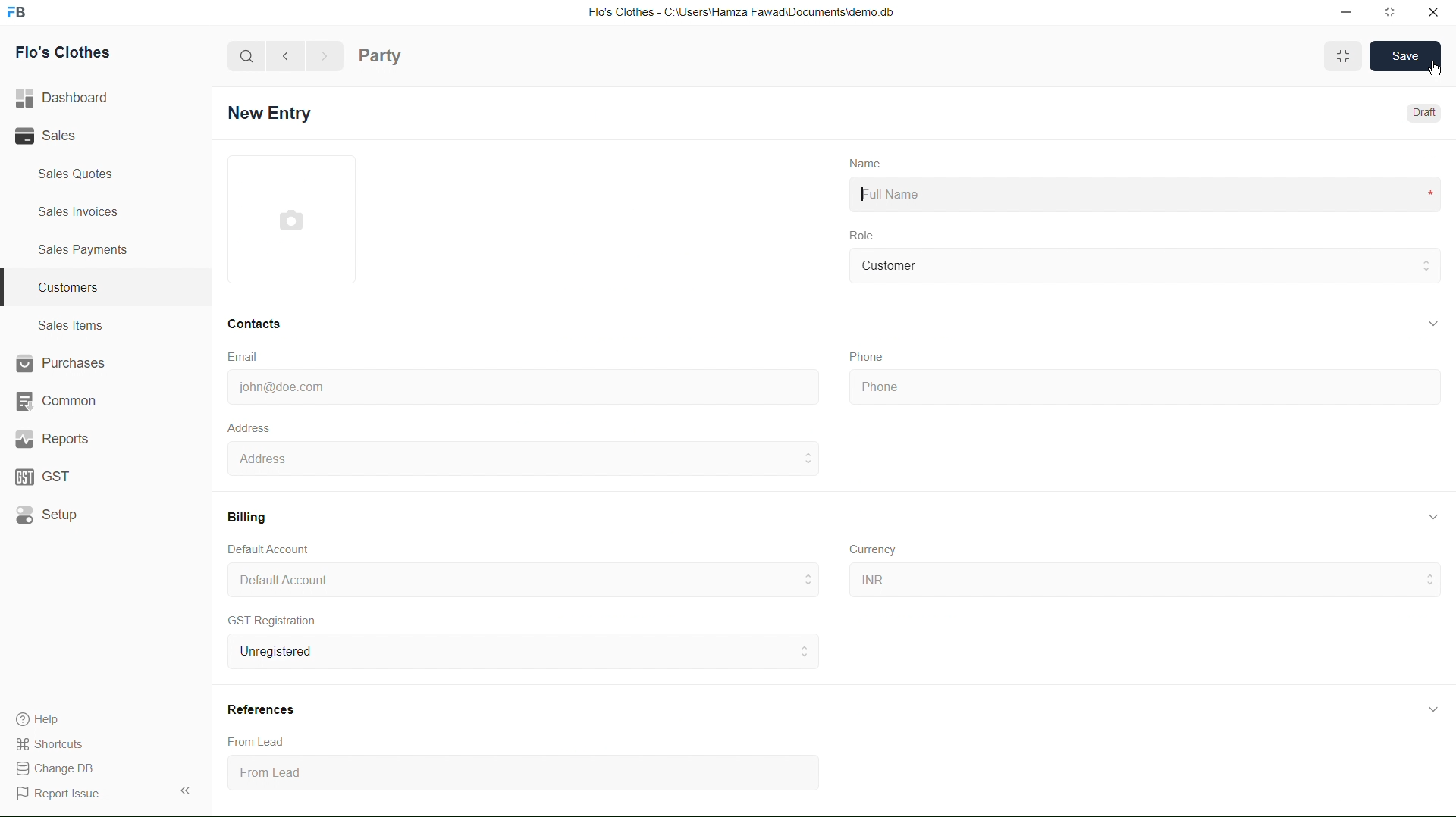  Describe the element at coordinates (1429, 516) in the screenshot. I see `expand` at that location.